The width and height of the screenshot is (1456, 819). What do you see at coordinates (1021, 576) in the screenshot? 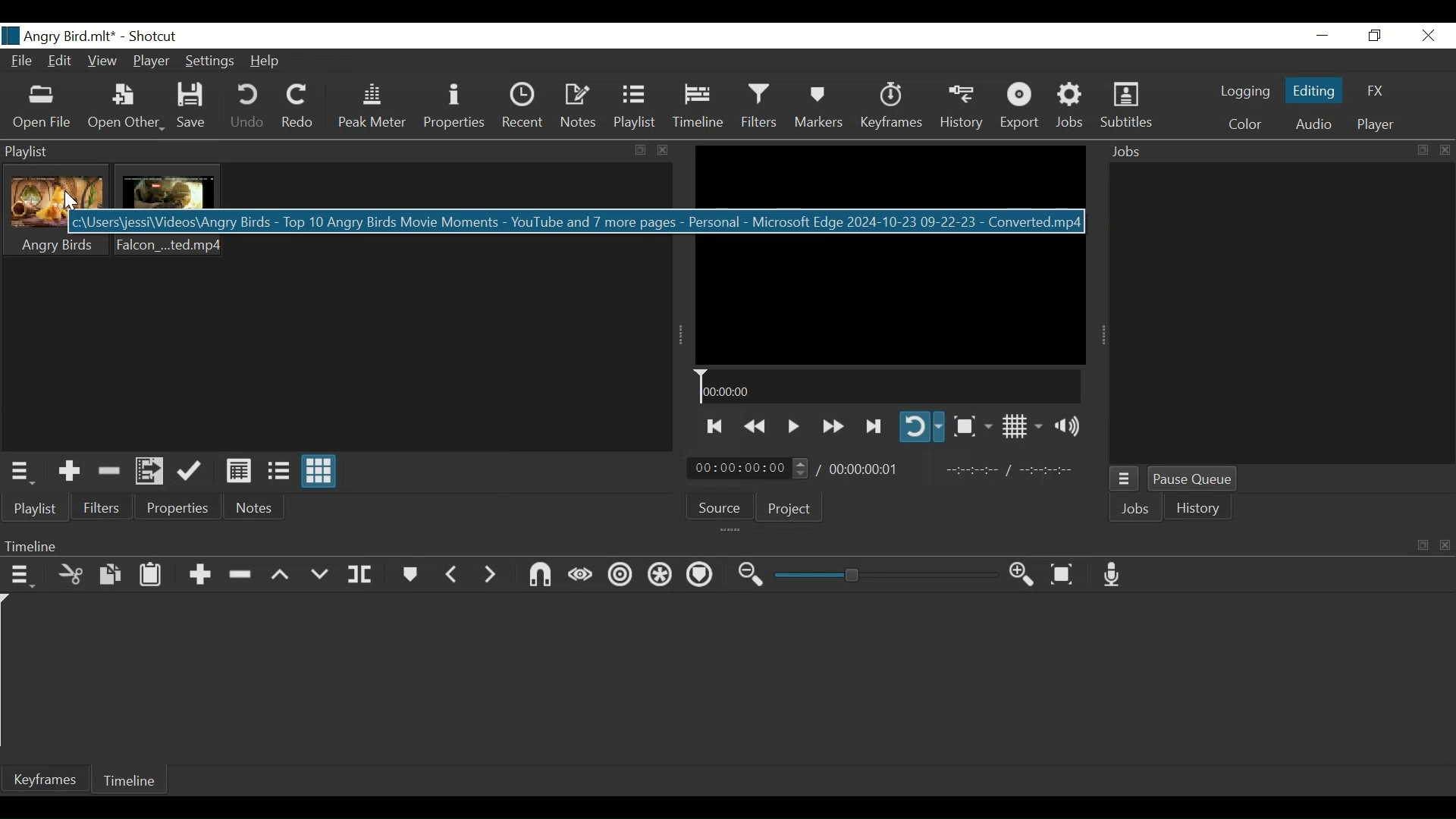
I see `Zoom timeline in` at bounding box center [1021, 576].